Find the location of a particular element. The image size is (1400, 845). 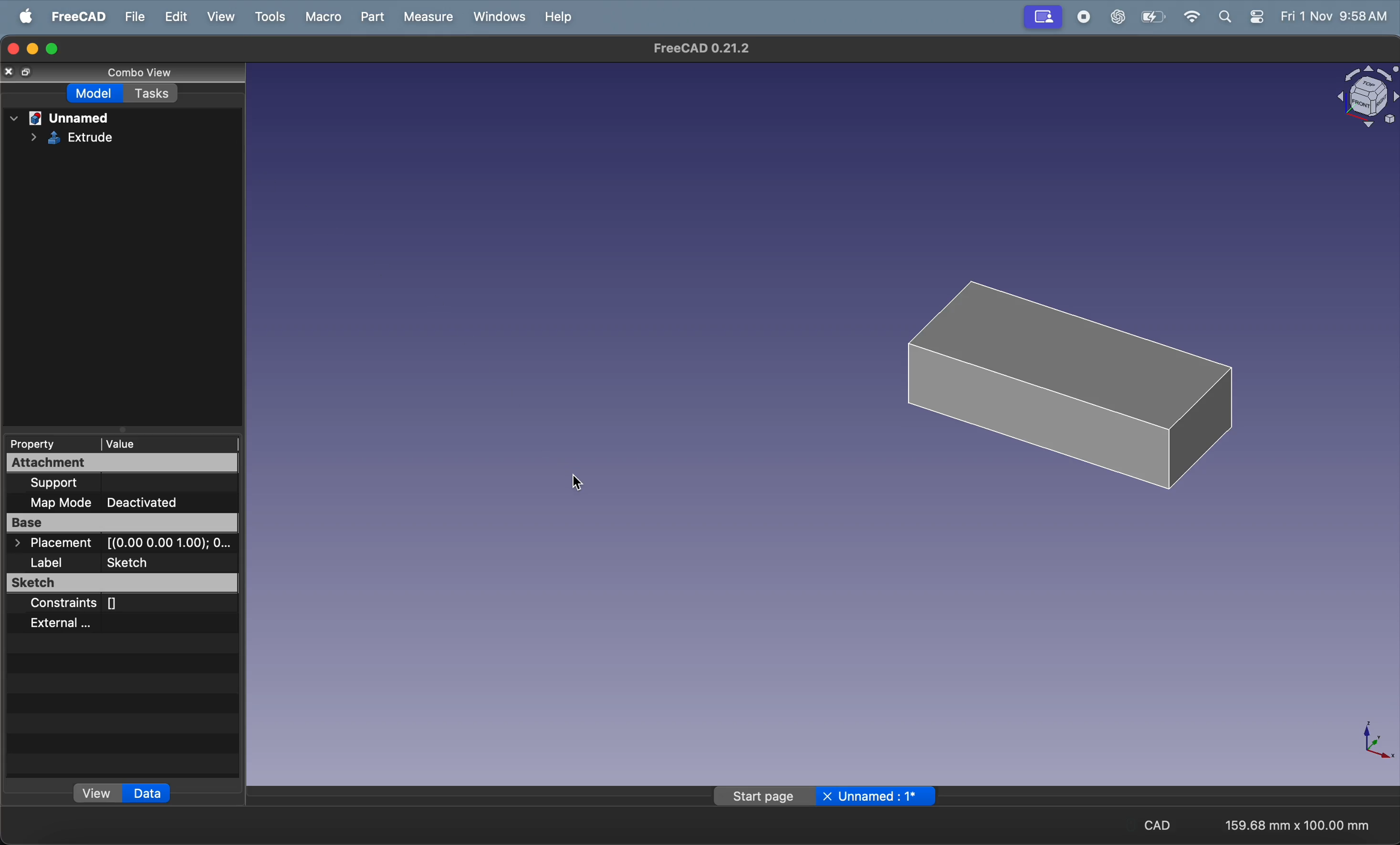

value is located at coordinates (155, 444).